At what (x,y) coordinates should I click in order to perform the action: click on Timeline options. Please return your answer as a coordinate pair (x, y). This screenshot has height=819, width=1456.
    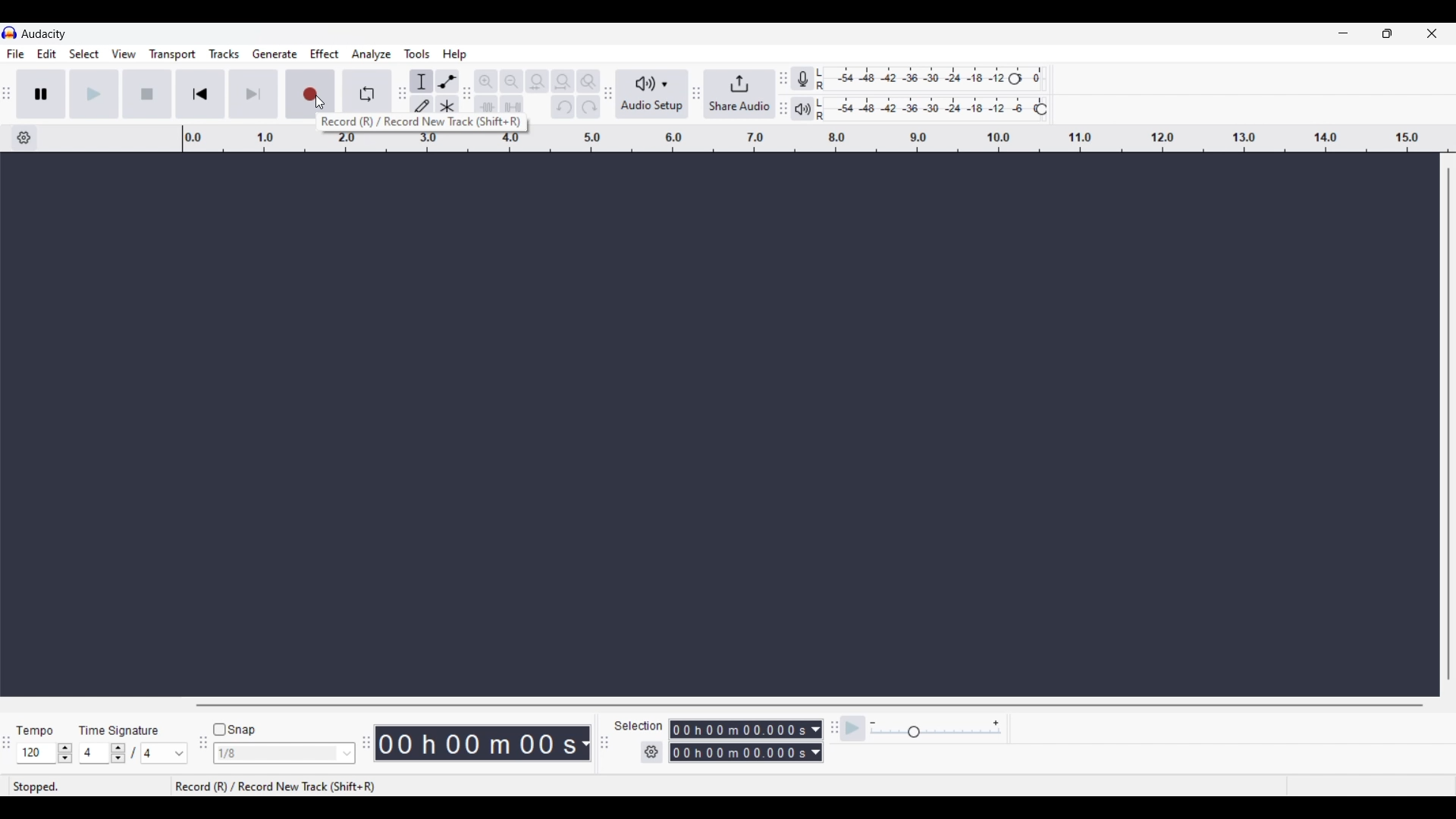
    Looking at the image, I should click on (24, 138).